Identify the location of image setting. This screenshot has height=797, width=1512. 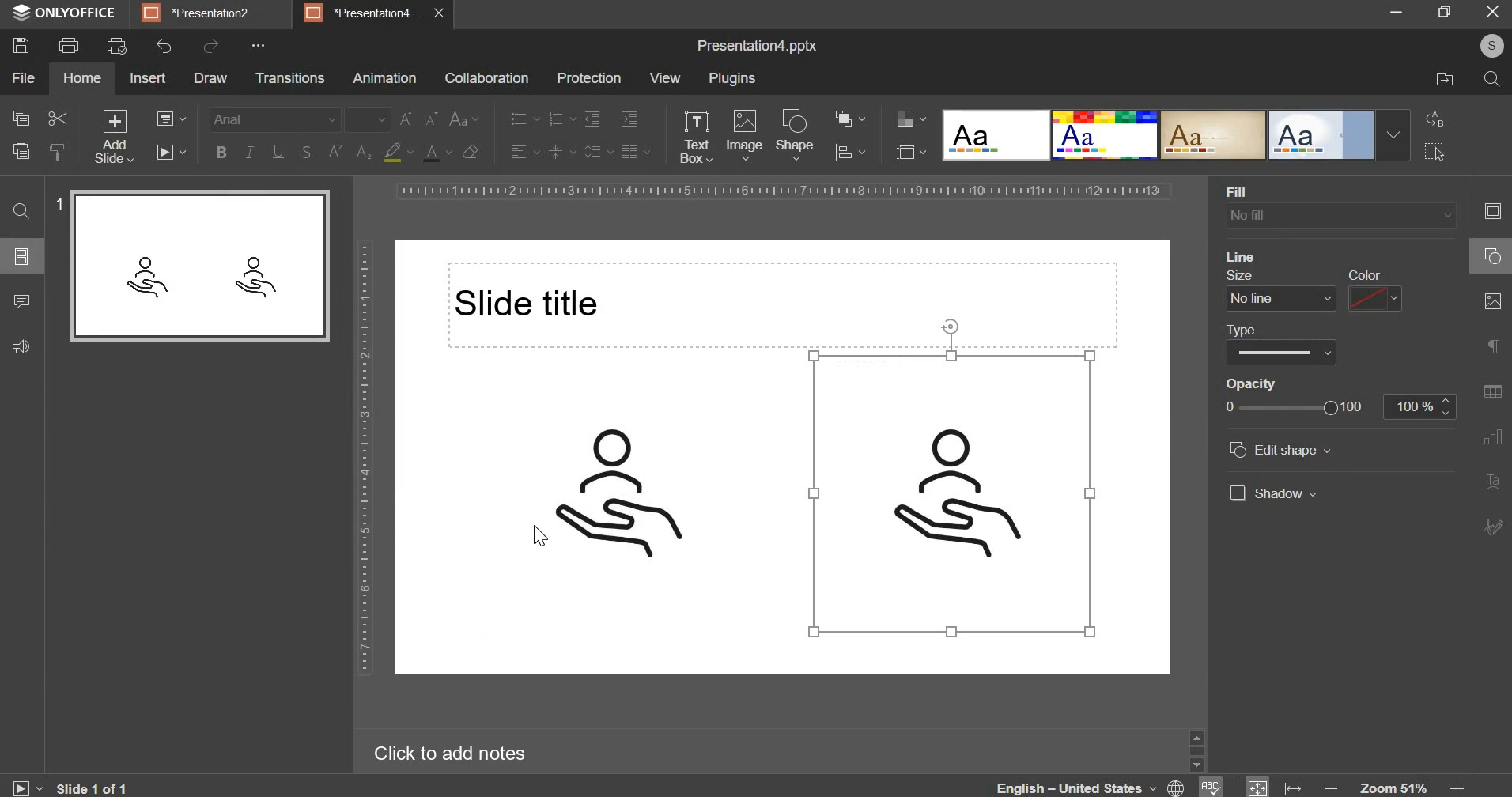
(1490, 301).